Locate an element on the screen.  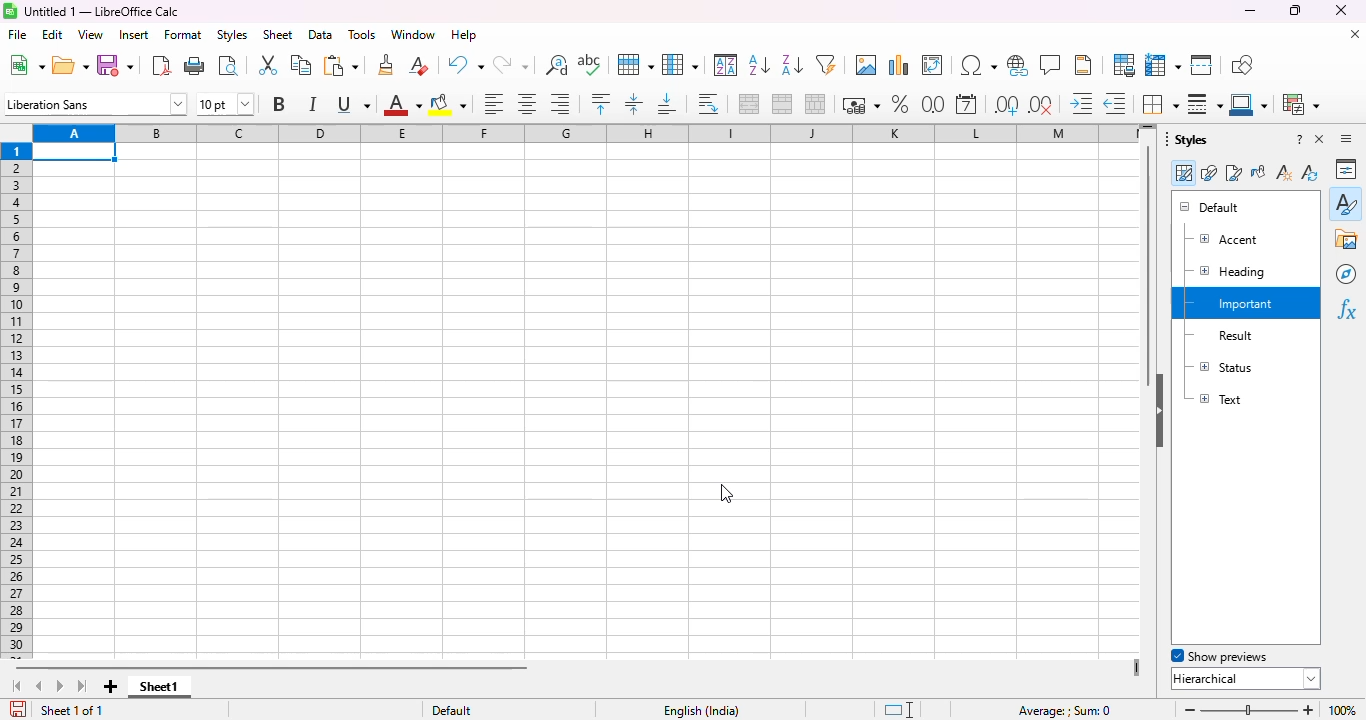
insert or edit pivot table is located at coordinates (933, 65).